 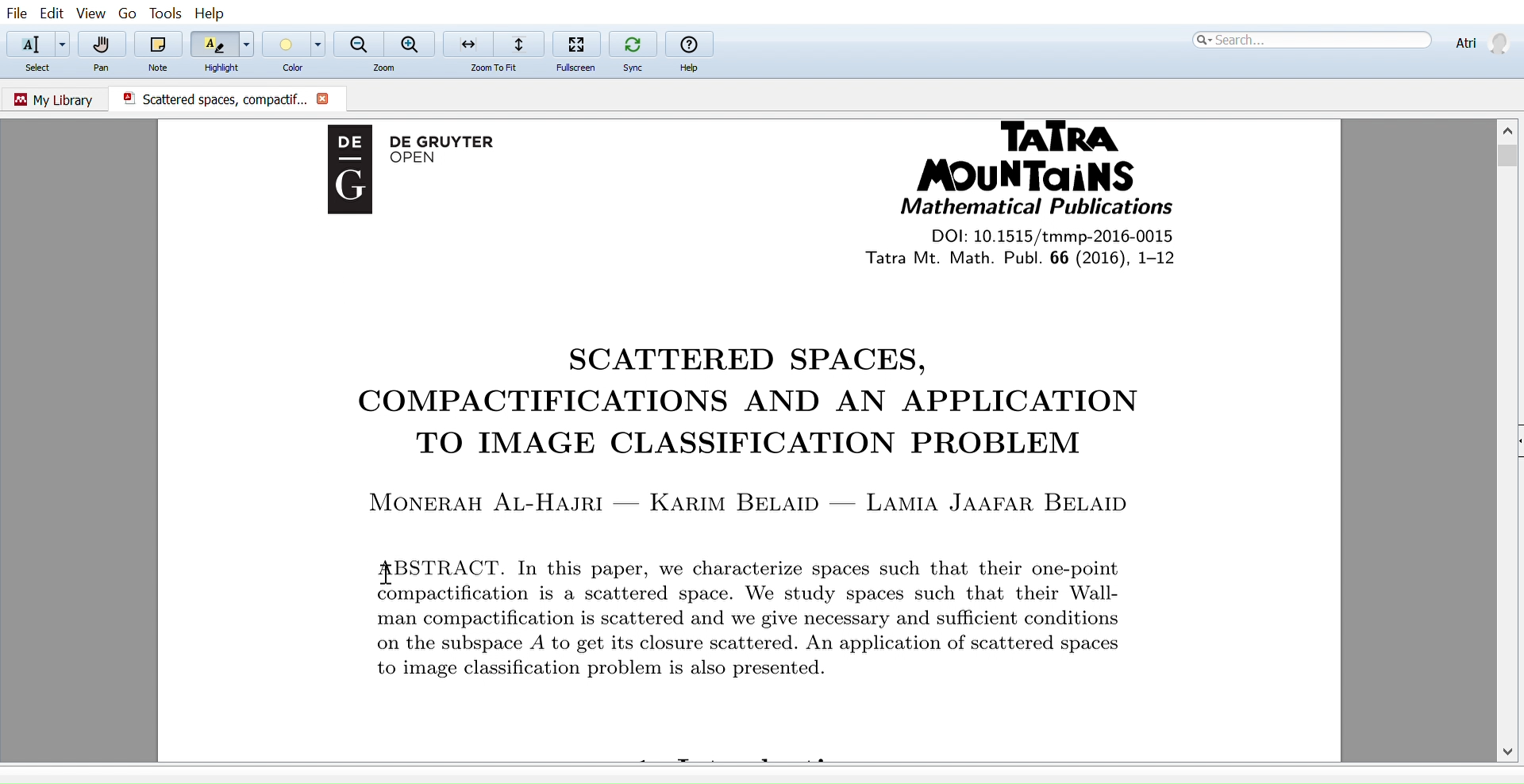 I want to click on Select text, so click(x=27, y=44).